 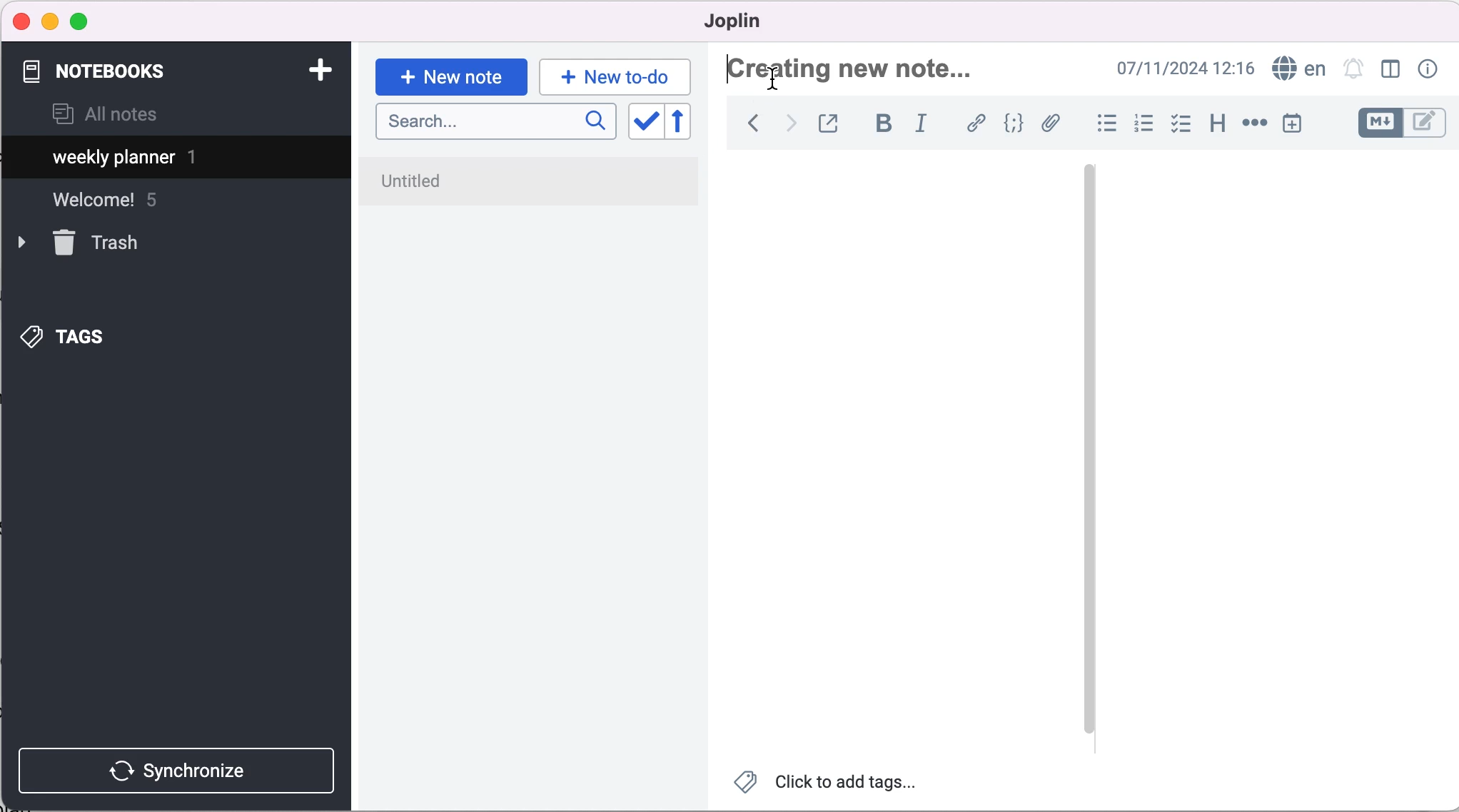 I want to click on add file, so click(x=1051, y=126).